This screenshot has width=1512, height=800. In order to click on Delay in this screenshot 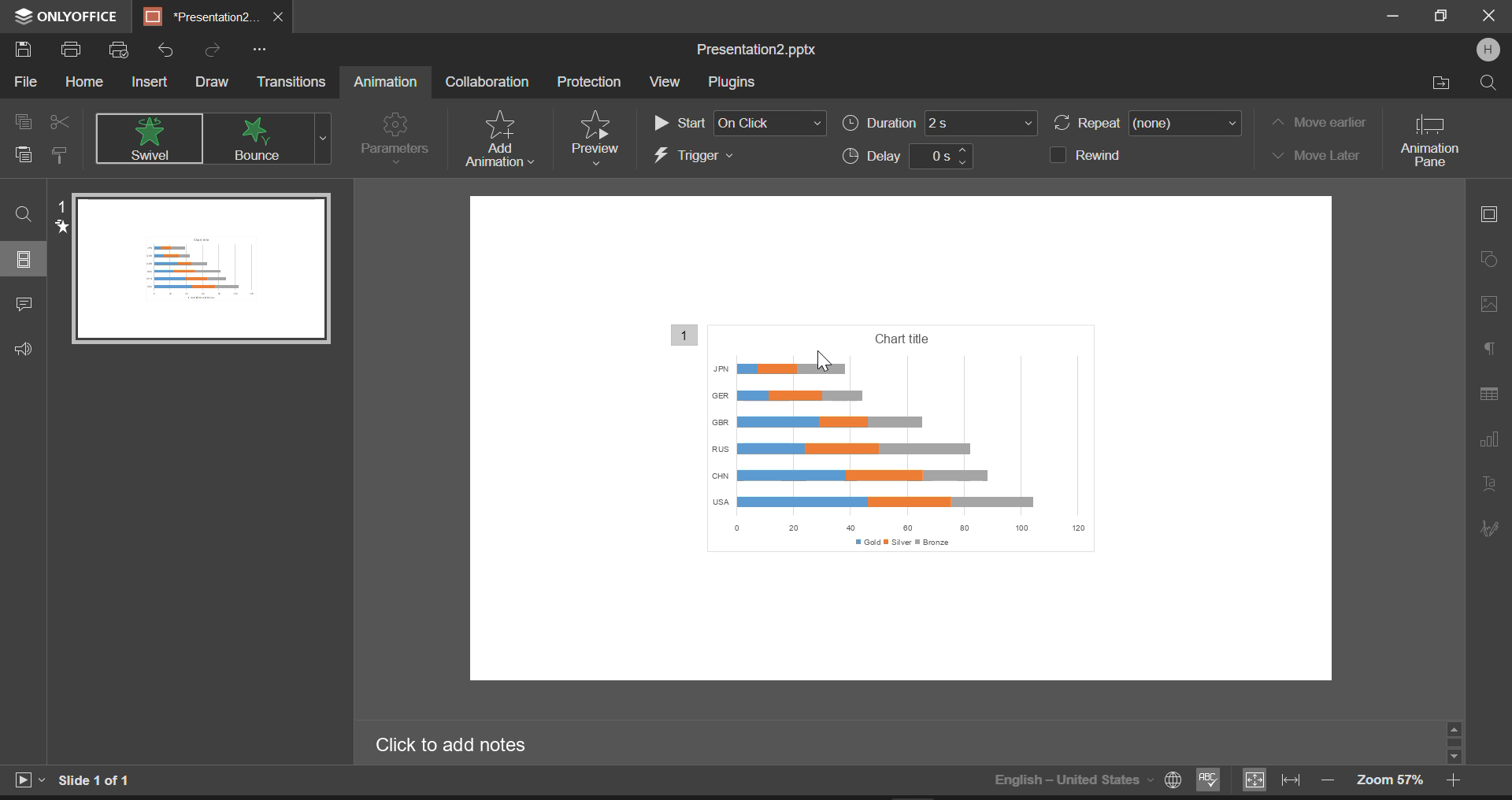, I will do `click(906, 157)`.